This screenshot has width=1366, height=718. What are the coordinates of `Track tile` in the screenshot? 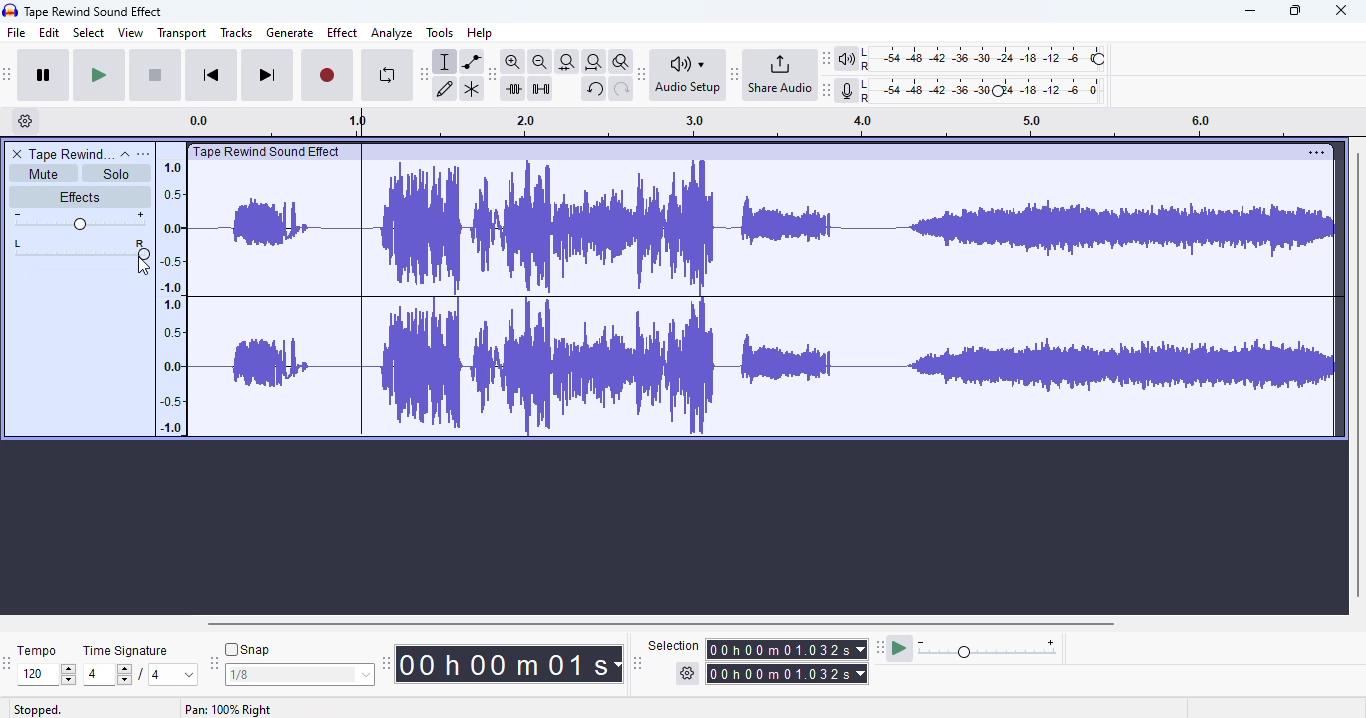 It's located at (270, 151).